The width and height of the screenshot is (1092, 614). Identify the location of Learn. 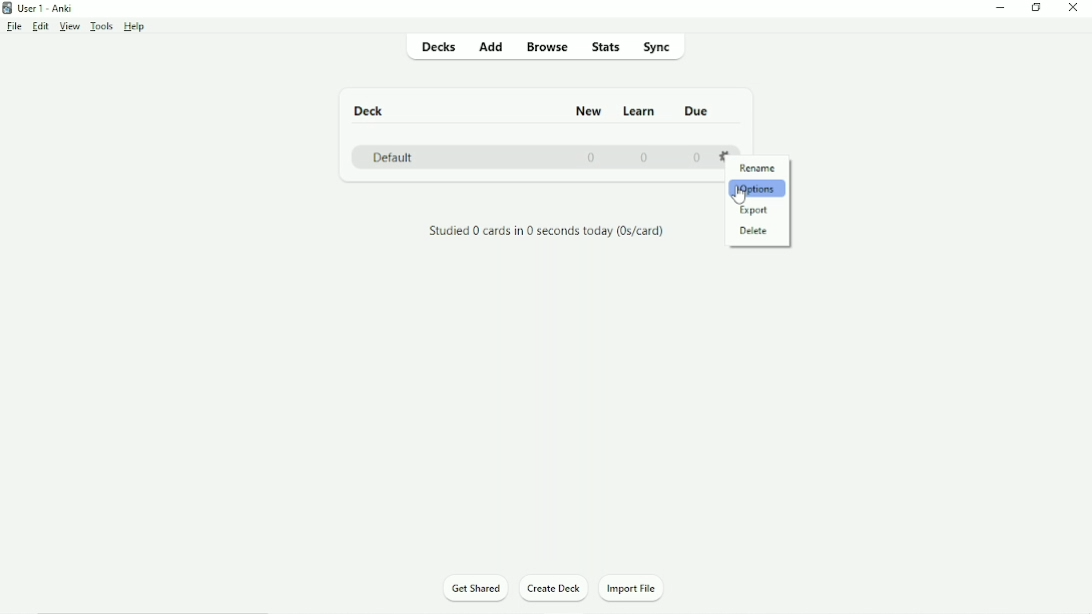
(641, 111).